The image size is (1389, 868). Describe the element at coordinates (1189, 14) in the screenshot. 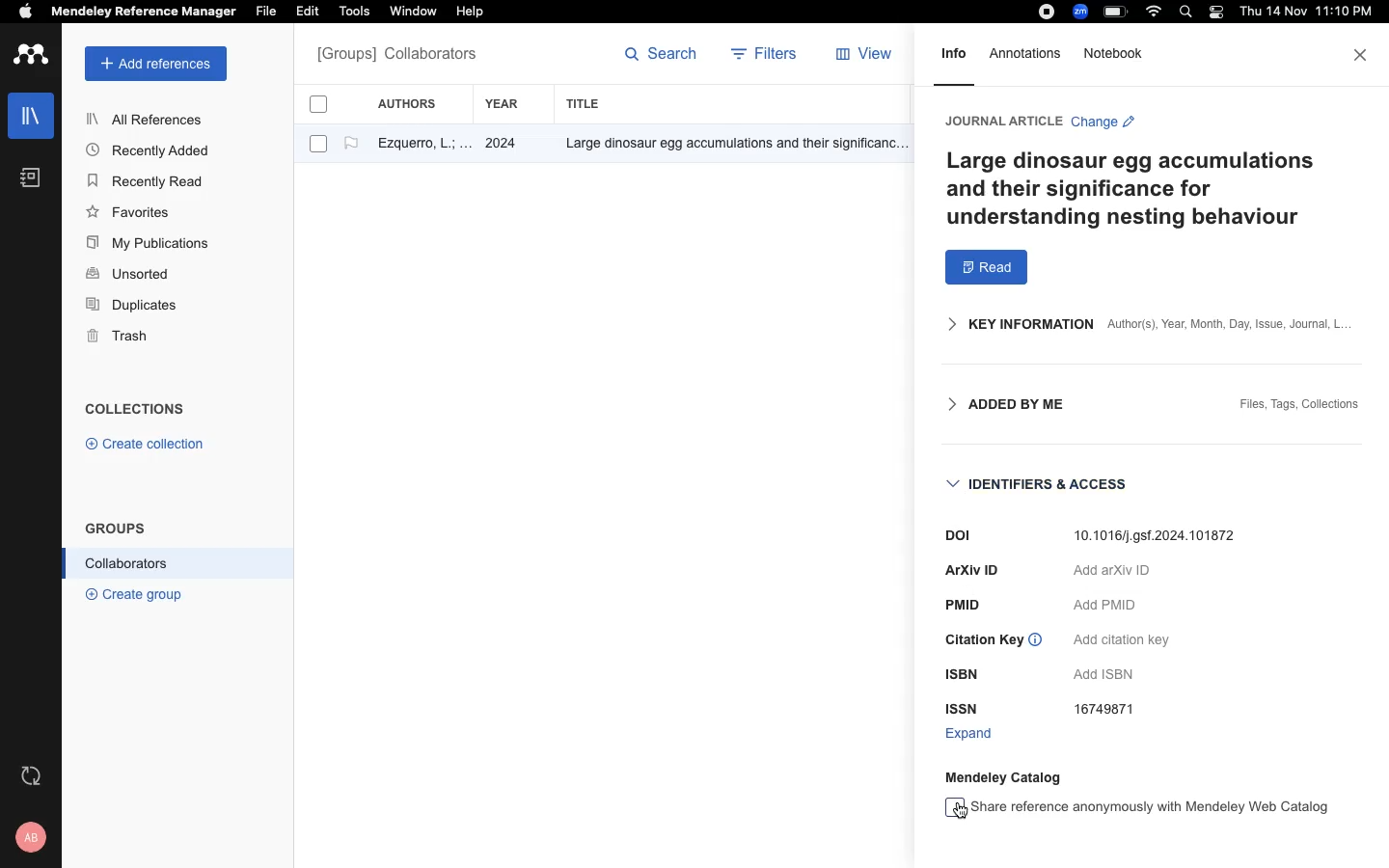

I see `search` at that location.